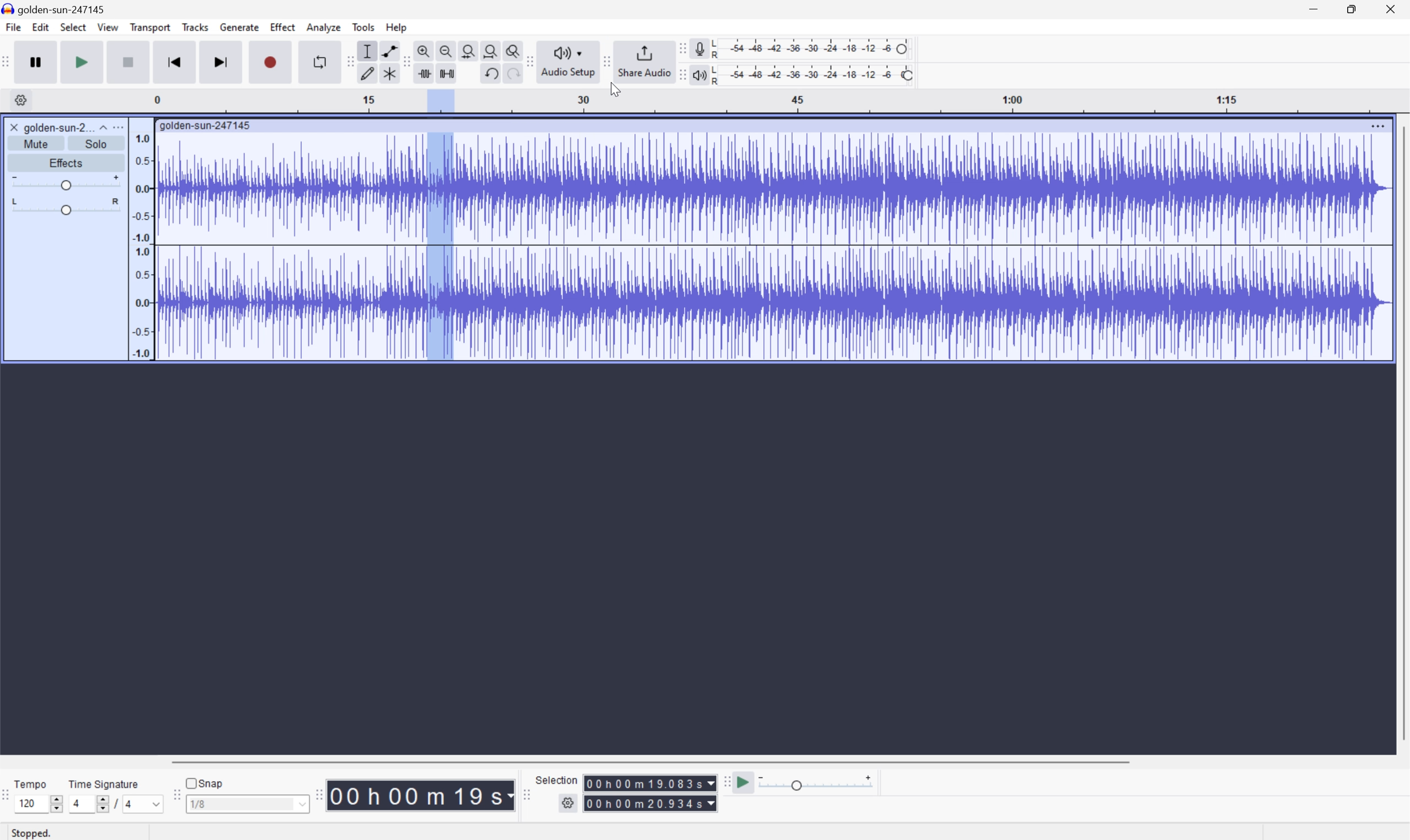 This screenshot has width=1410, height=840. Describe the element at coordinates (151, 28) in the screenshot. I see `Transport` at that location.